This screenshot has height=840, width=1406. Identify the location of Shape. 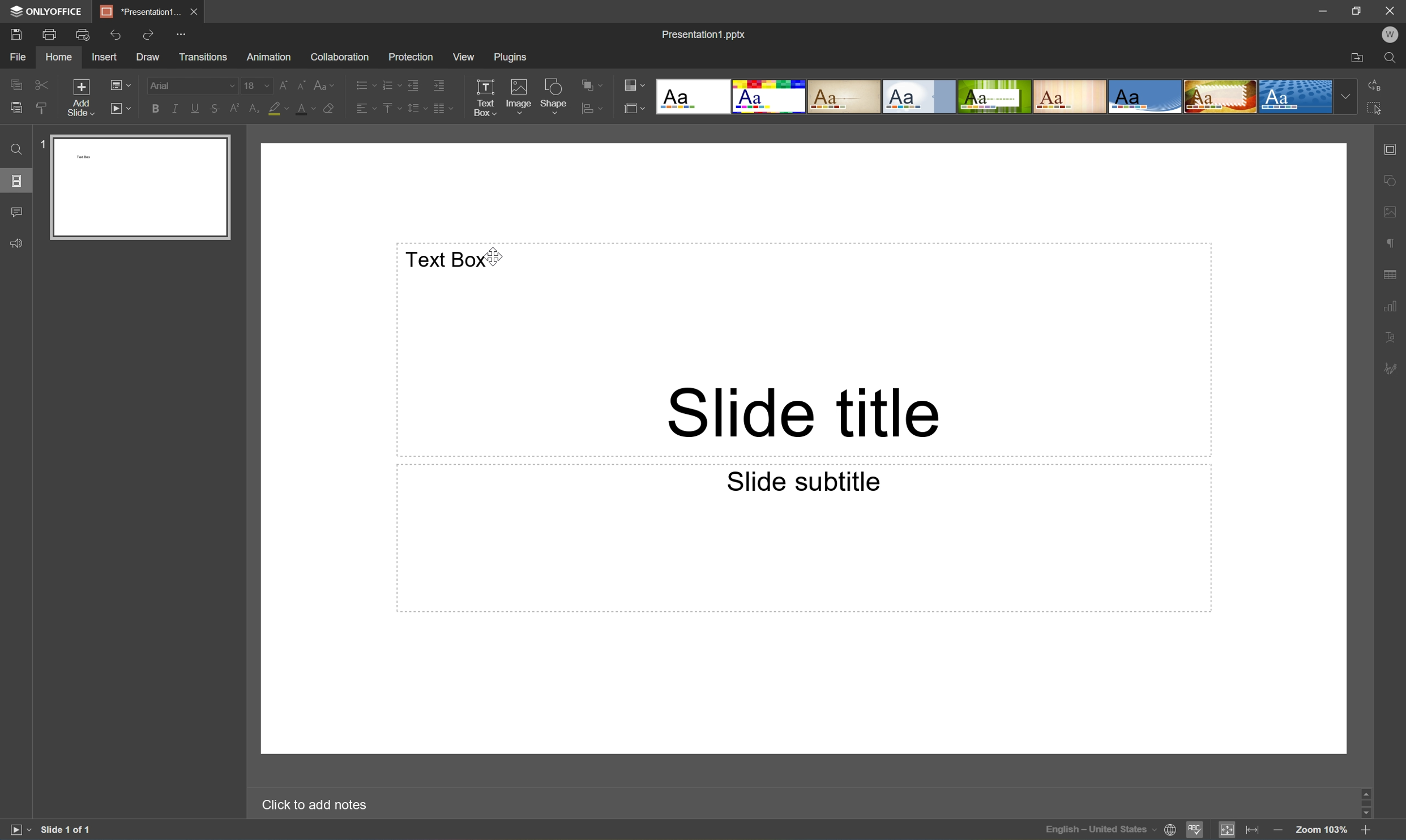
(553, 96).